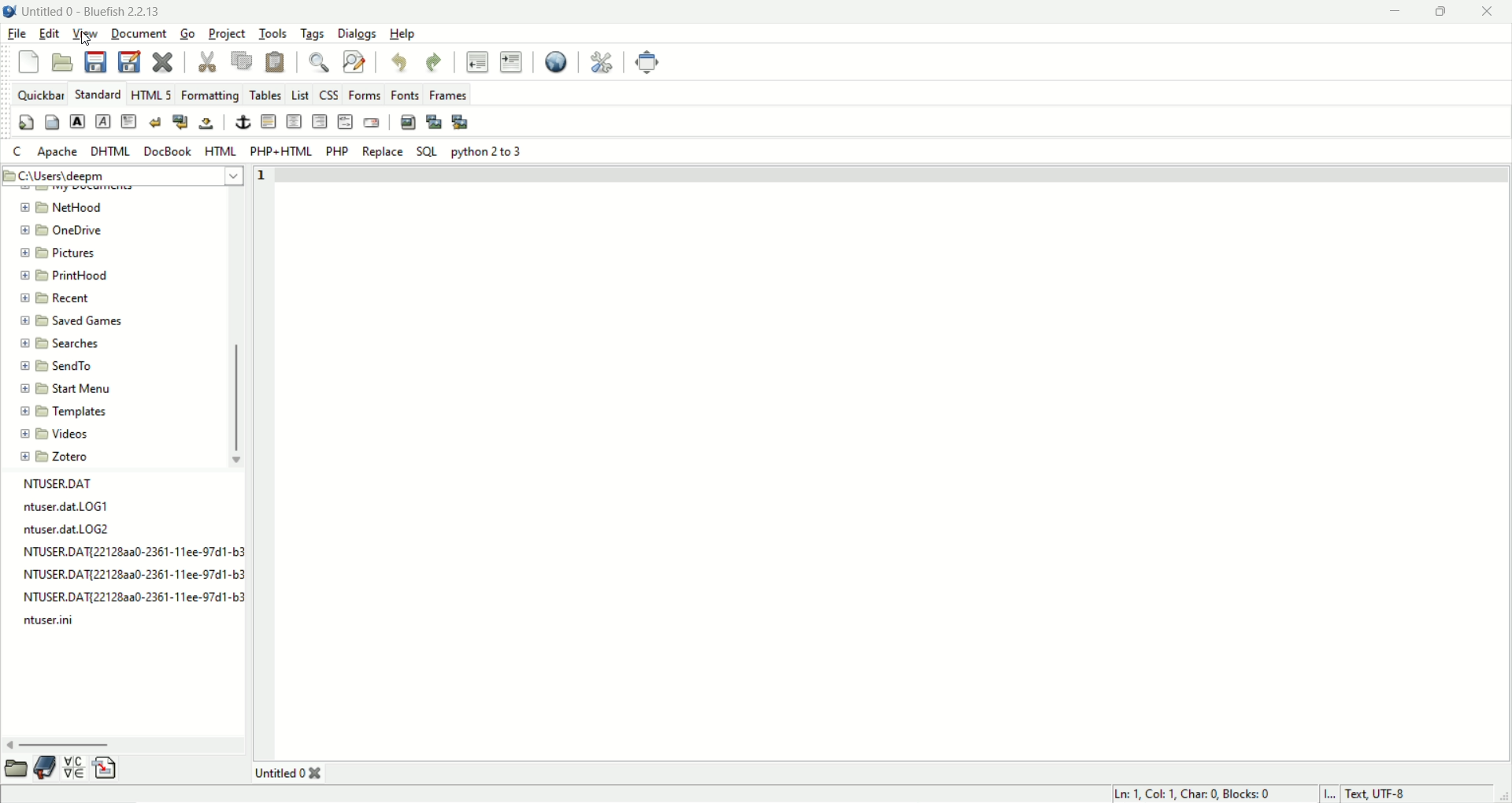 This screenshot has height=803, width=1512. Describe the element at coordinates (98, 93) in the screenshot. I see `Standard` at that location.